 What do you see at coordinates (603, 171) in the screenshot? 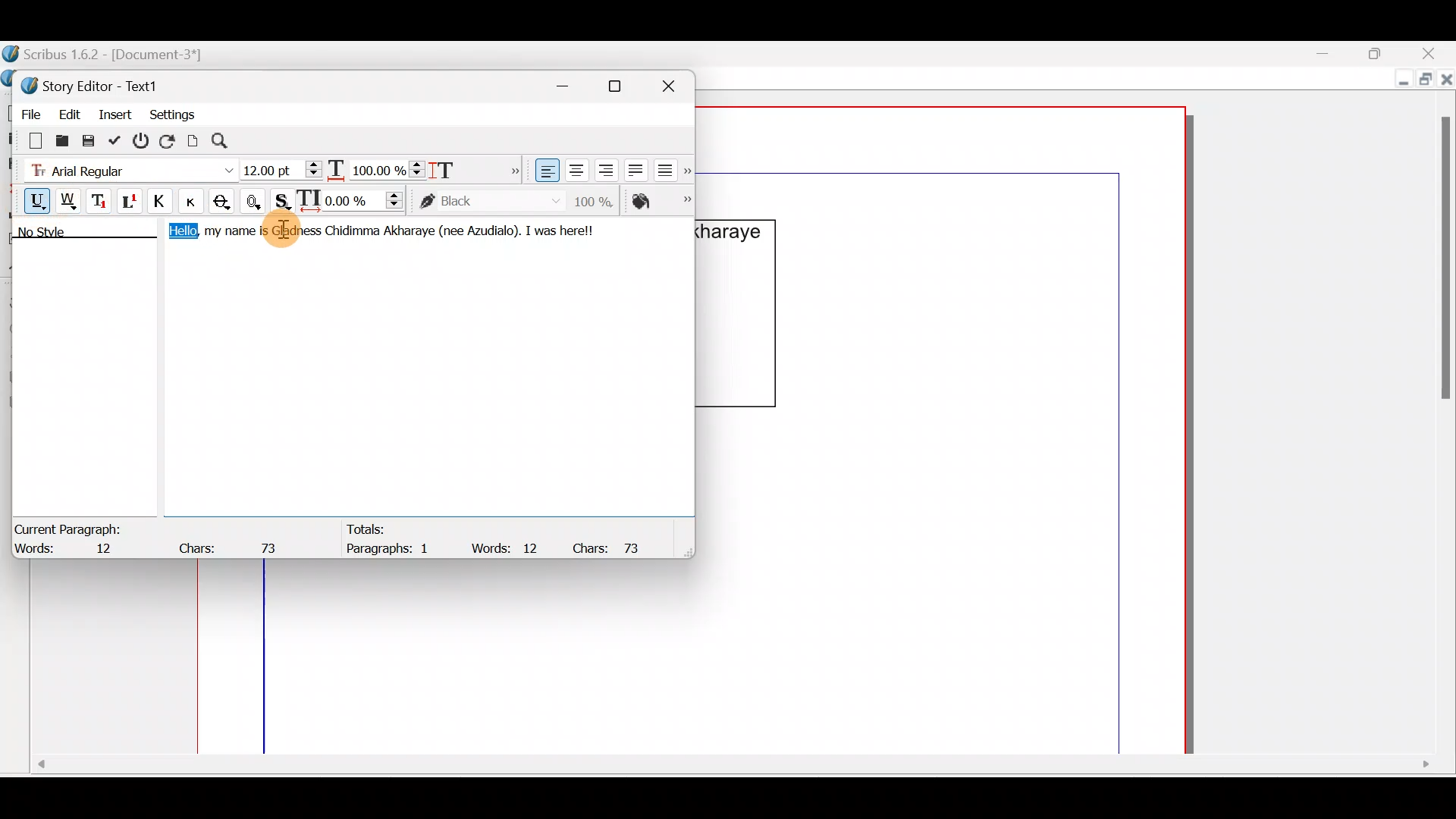
I see `Align text right` at bounding box center [603, 171].